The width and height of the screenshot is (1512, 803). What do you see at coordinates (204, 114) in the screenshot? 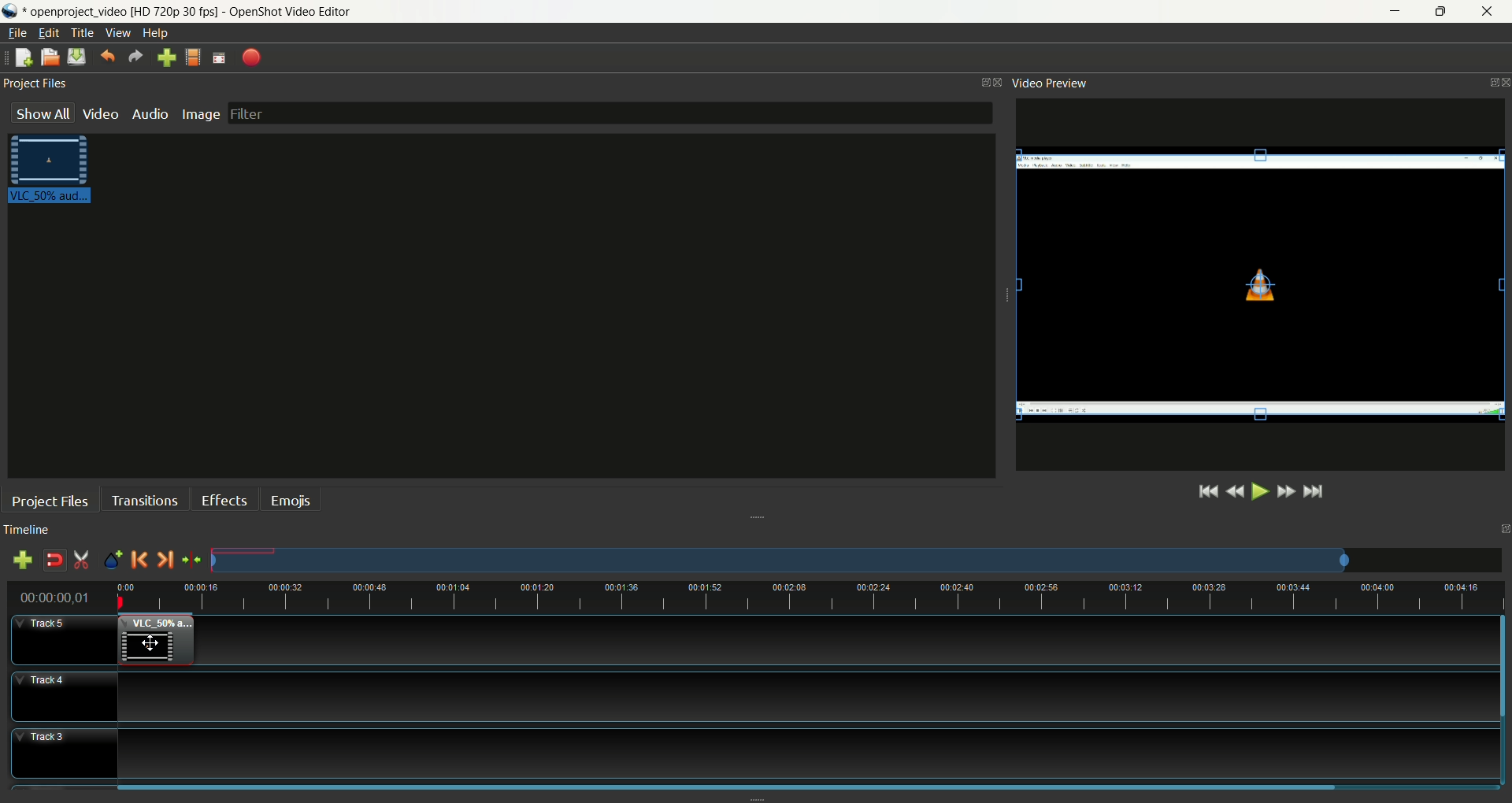
I see `image` at bounding box center [204, 114].